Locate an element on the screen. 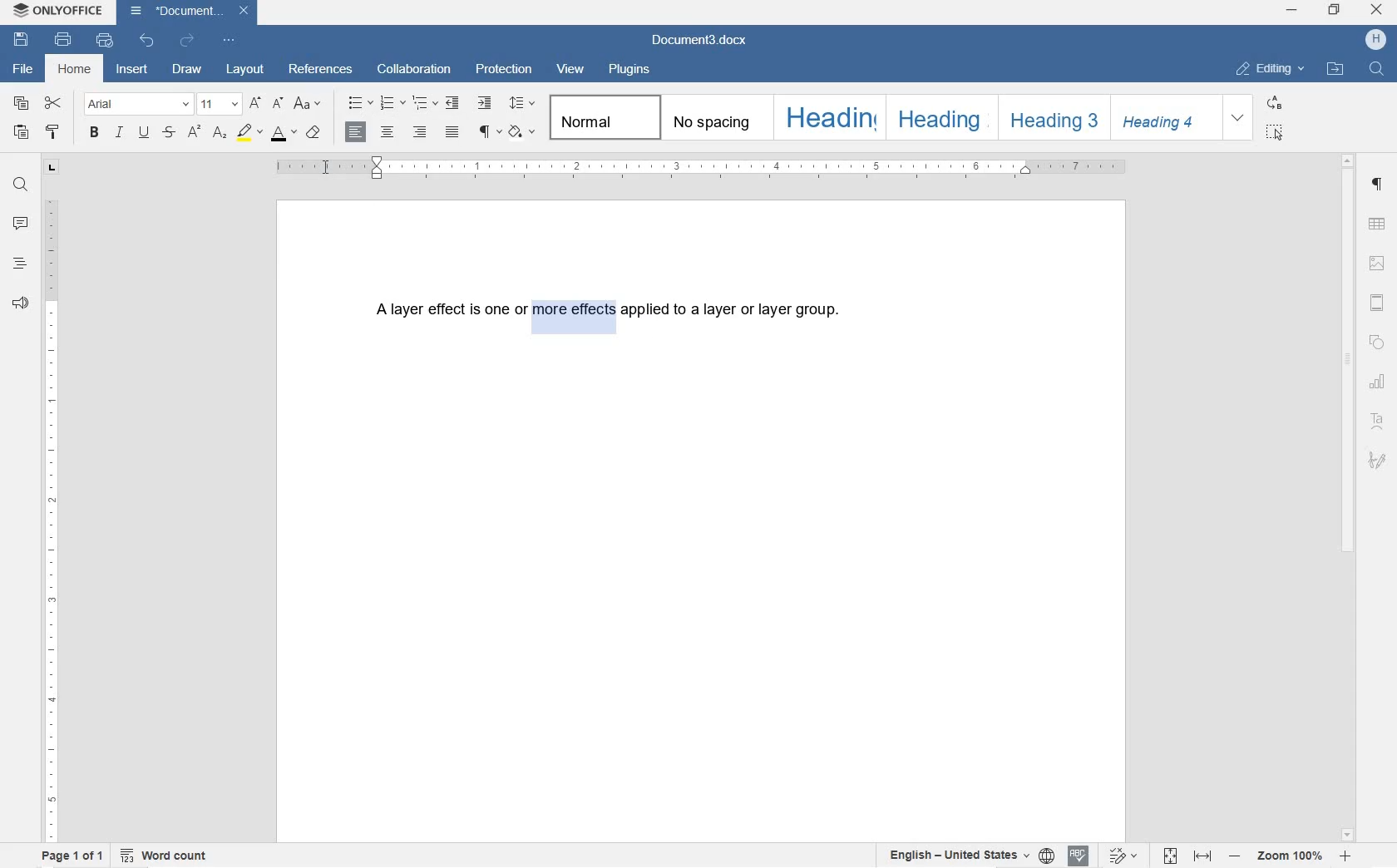 This screenshot has height=868, width=1397. ITALIC is located at coordinates (121, 133).